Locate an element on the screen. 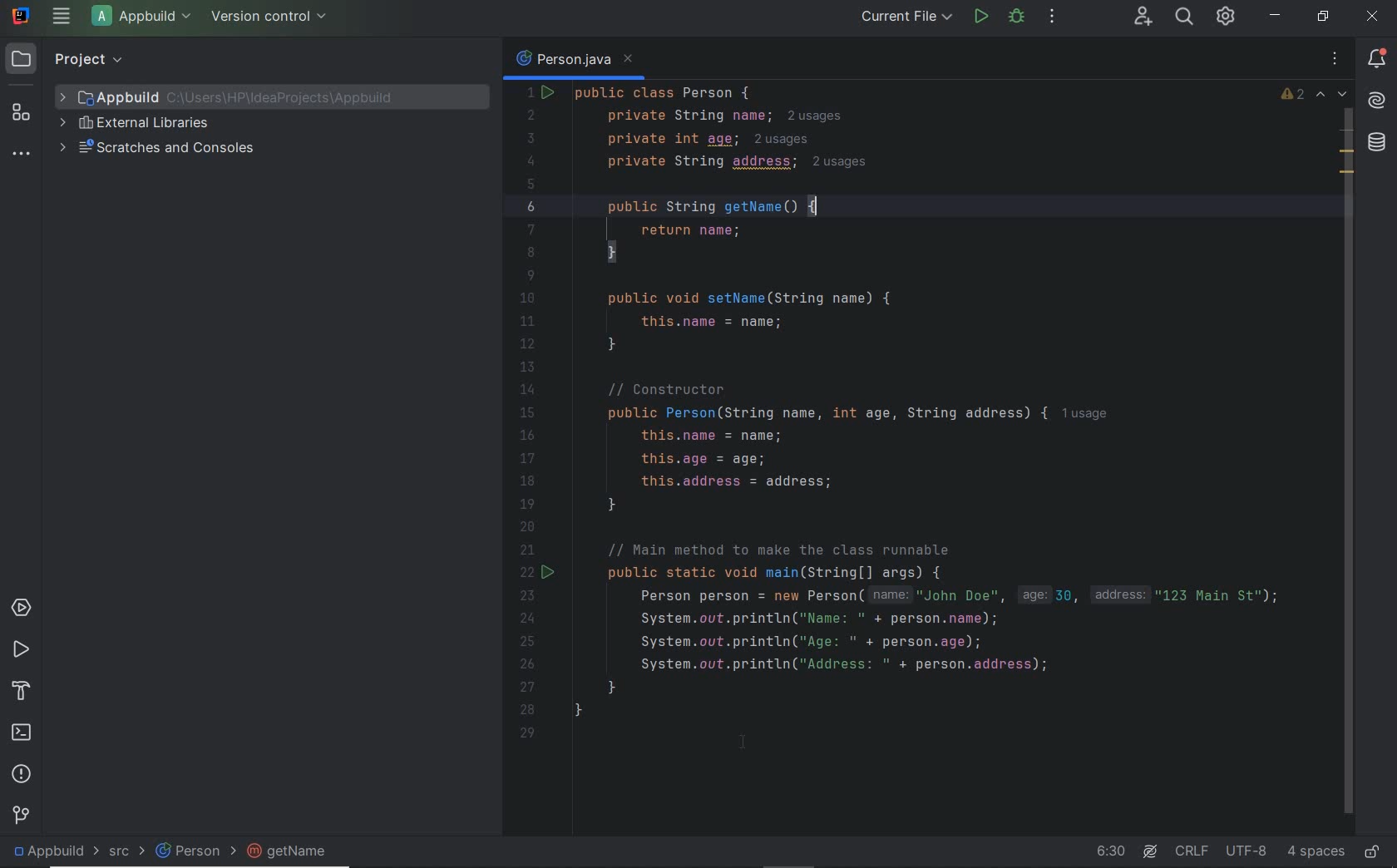  project file name is located at coordinates (47, 850).